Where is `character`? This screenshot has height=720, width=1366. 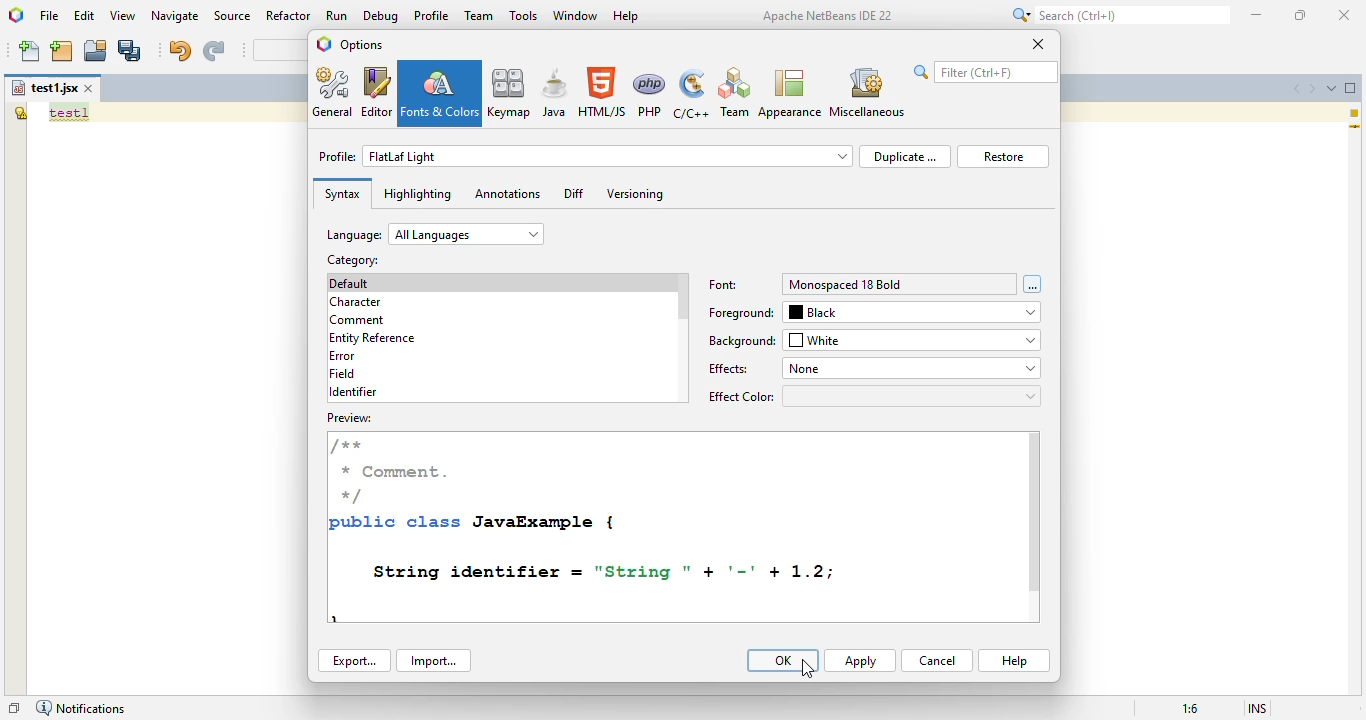
character is located at coordinates (355, 302).